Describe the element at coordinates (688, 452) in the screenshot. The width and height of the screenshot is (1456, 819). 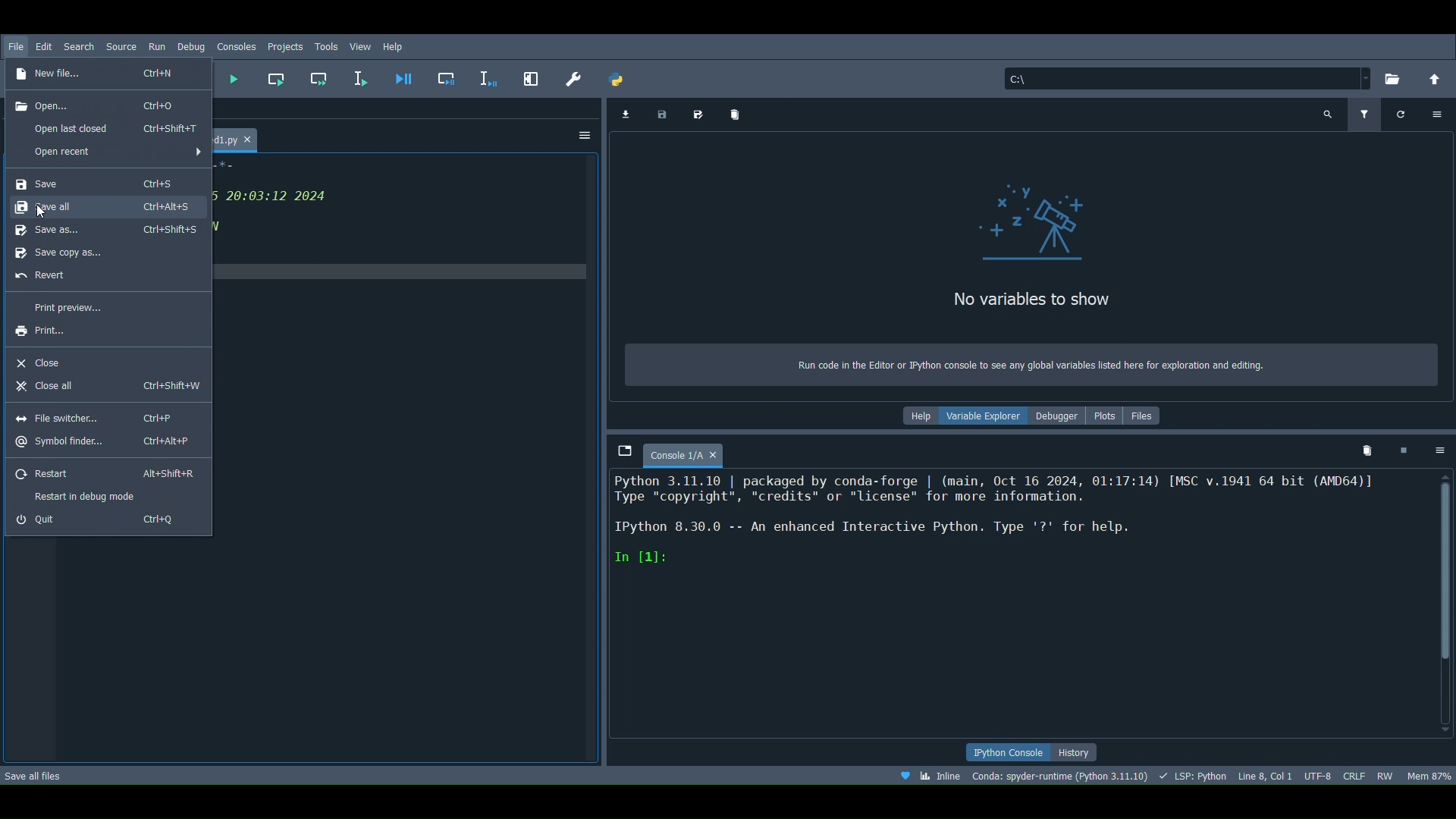
I see `Console 1/A` at that location.